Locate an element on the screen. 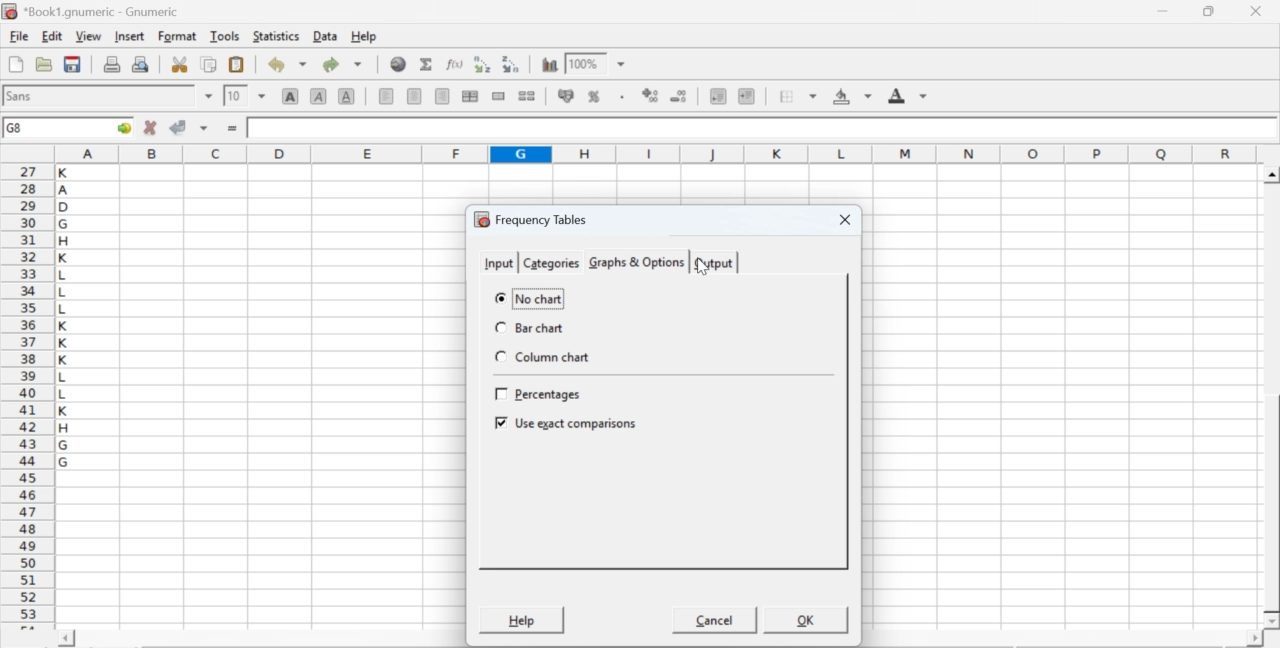 The width and height of the screenshot is (1280, 648). view is located at coordinates (88, 35).